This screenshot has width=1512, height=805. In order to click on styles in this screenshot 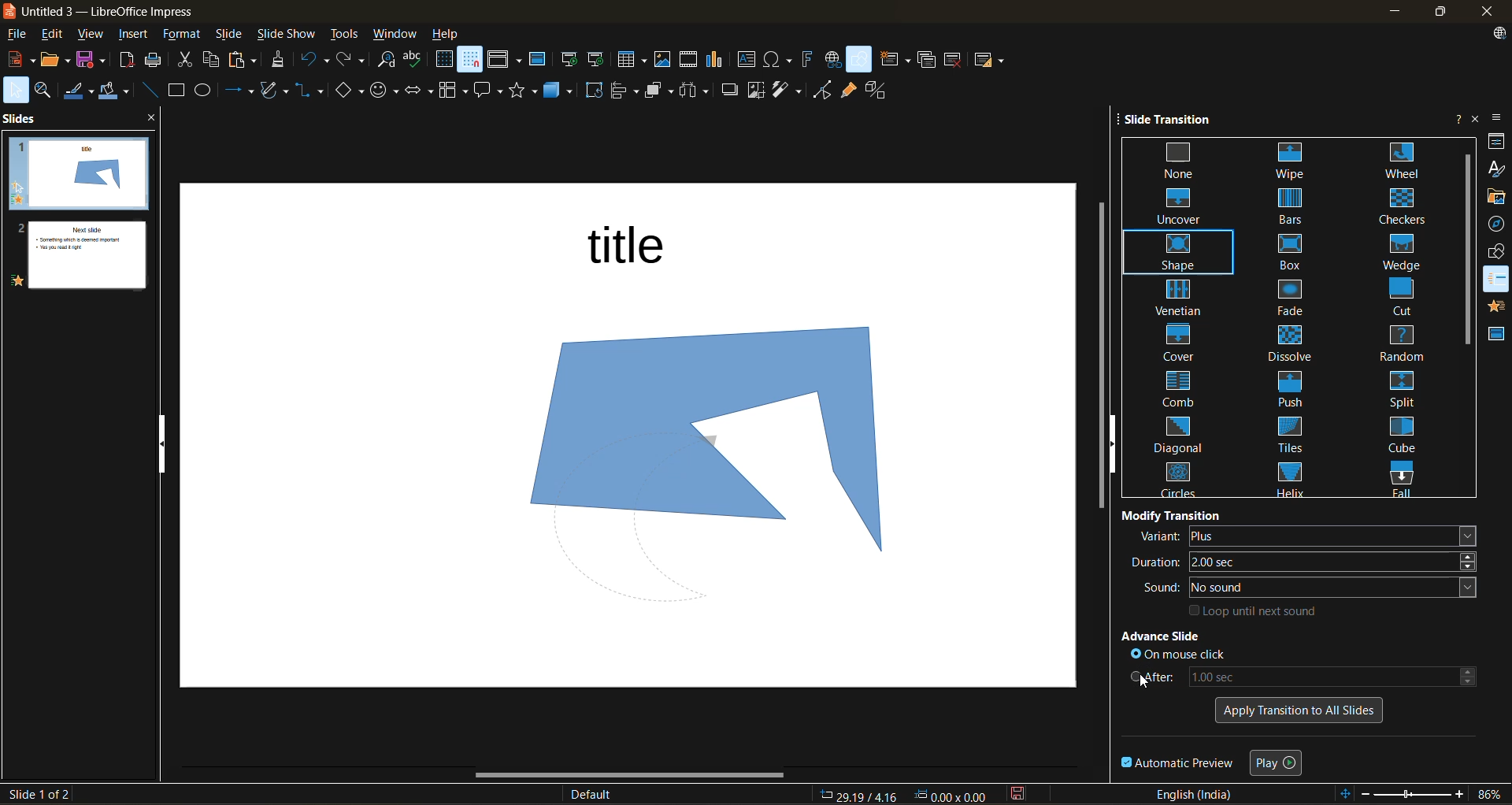, I will do `click(1495, 169)`.